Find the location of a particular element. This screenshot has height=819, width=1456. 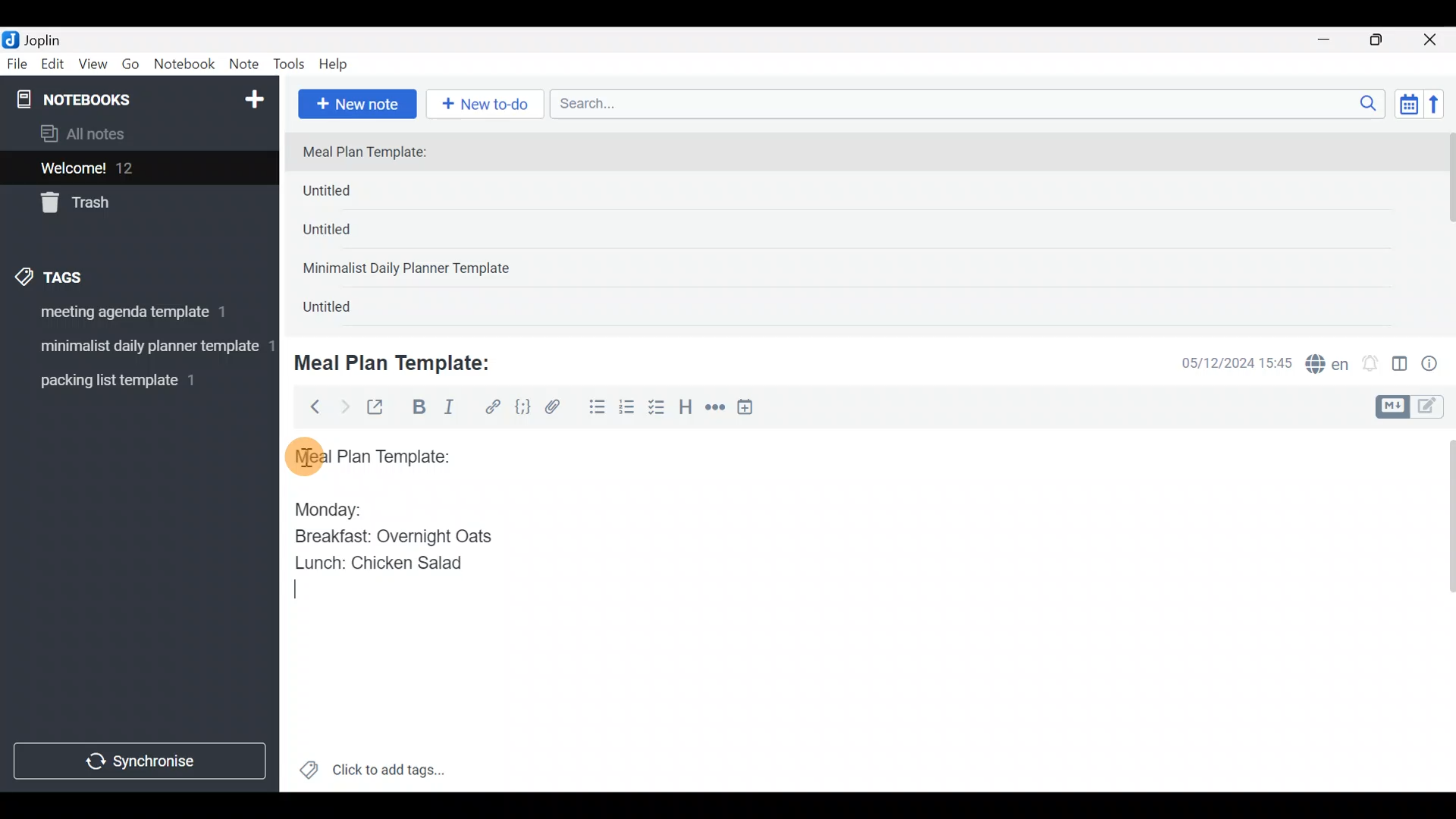

Lunch: Chicken Salad is located at coordinates (377, 563).